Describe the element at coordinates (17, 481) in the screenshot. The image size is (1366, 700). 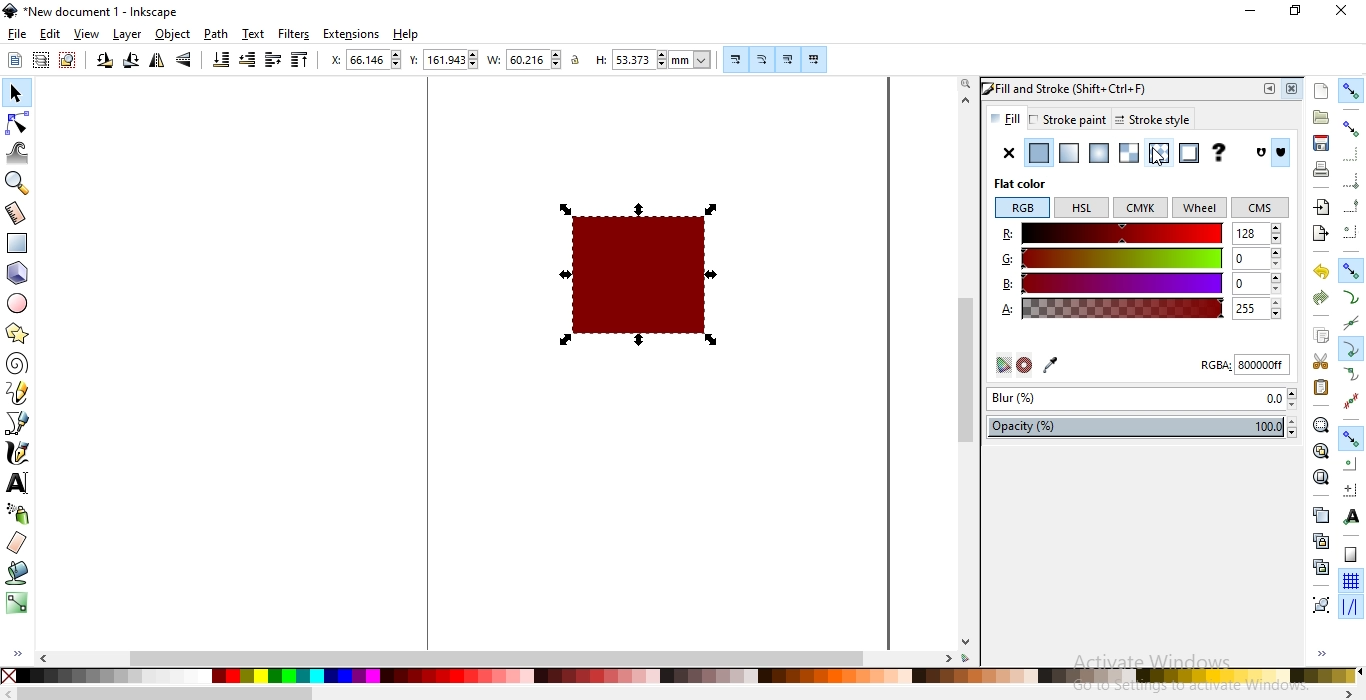
I see `create and edit text objects` at that location.